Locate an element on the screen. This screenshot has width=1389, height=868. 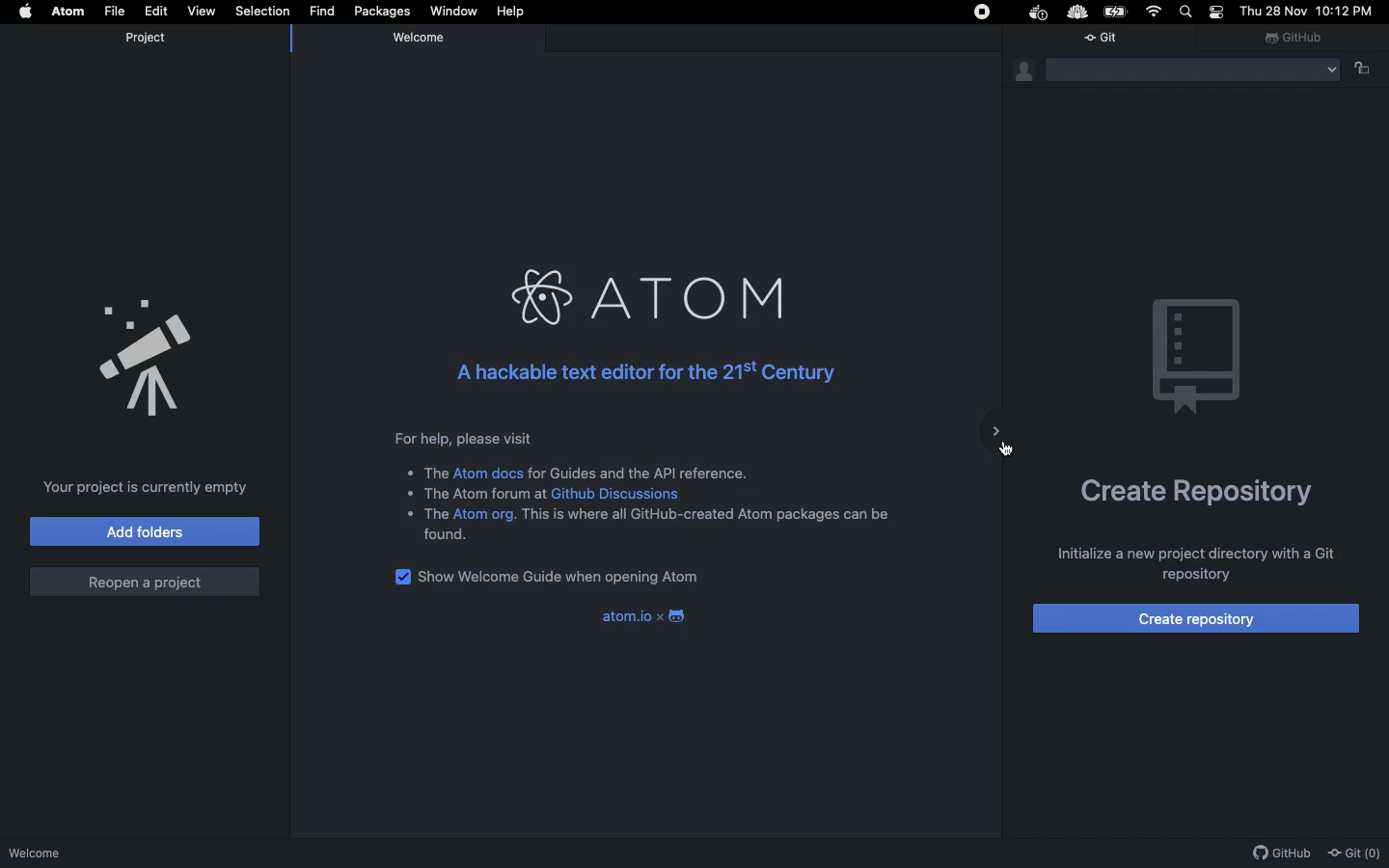
atom.io  is located at coordinates (646, 617).